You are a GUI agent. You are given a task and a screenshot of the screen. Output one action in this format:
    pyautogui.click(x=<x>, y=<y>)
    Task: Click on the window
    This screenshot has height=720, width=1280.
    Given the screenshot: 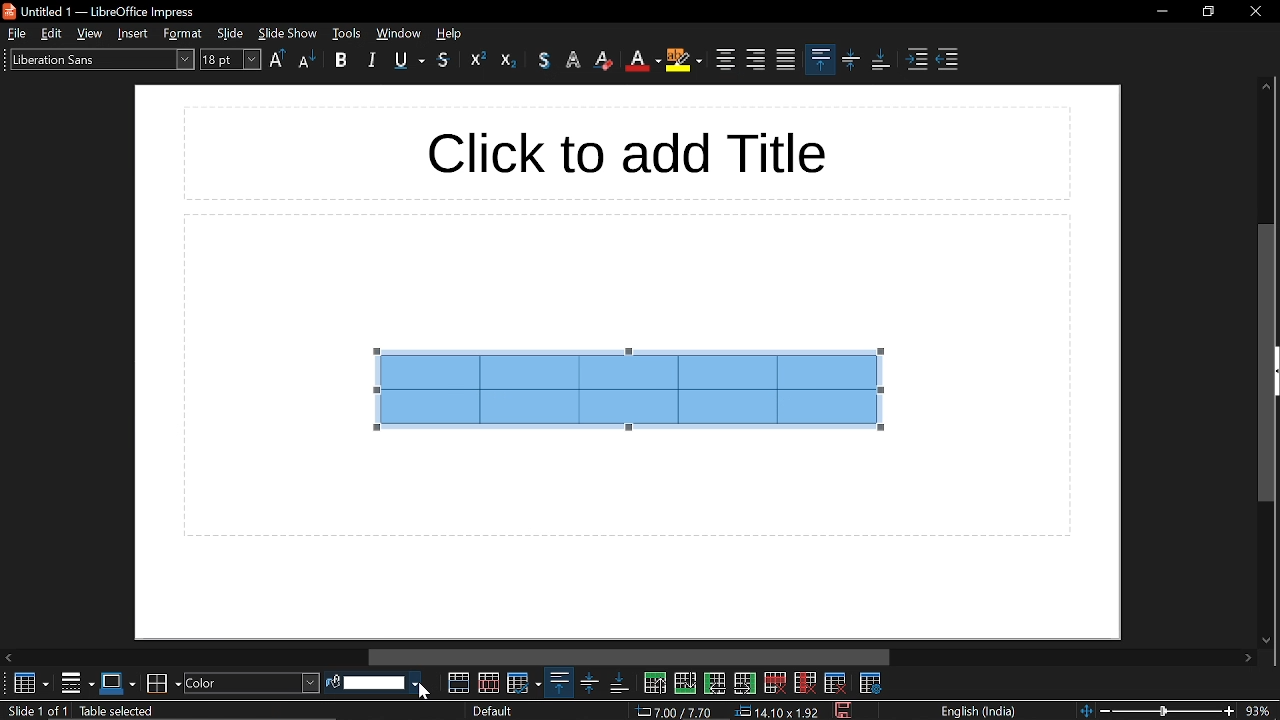 What is the action you would take?
    pyautogui.click(x=398, y=34)
    